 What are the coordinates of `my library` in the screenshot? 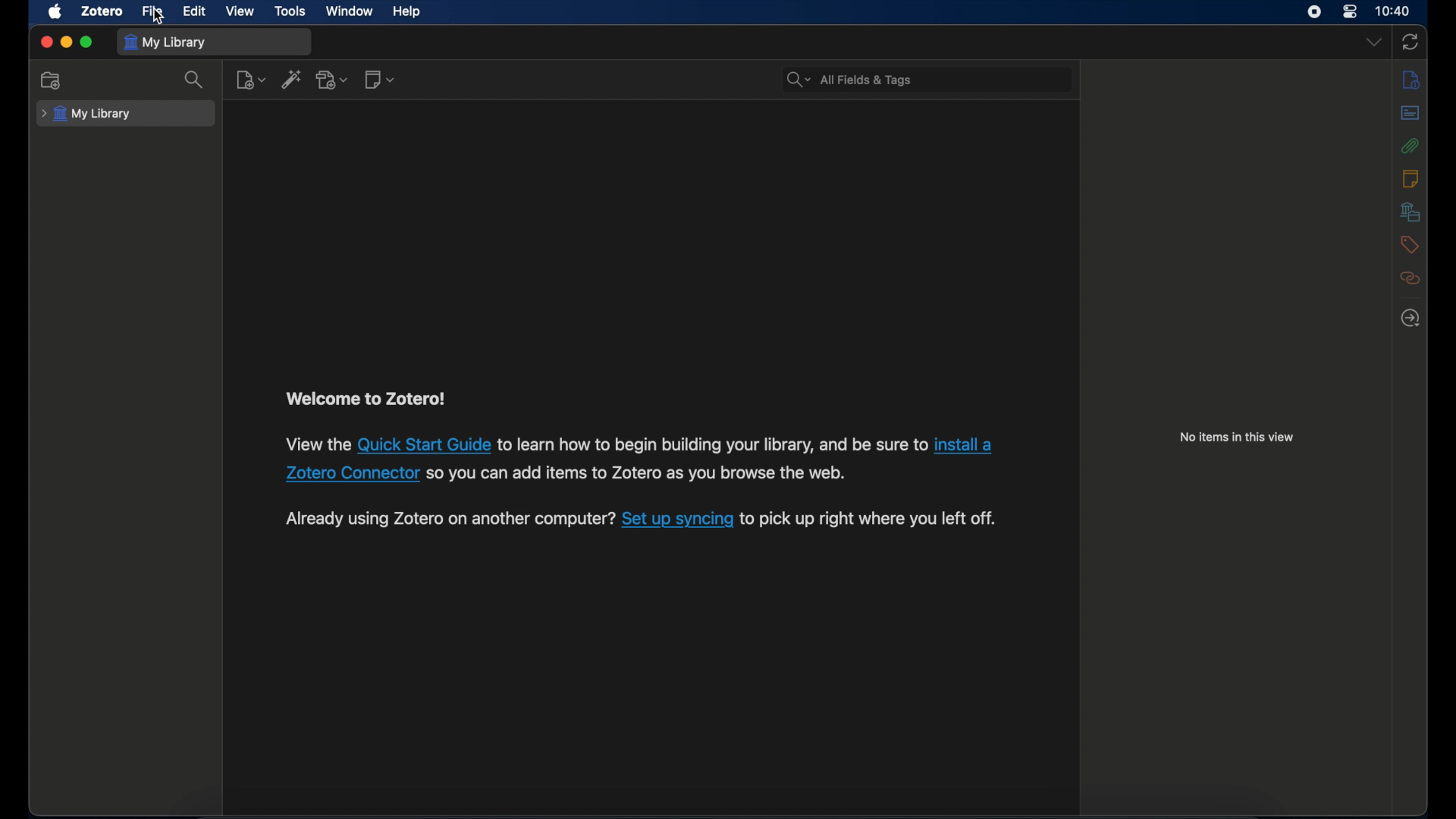 It's located at (165, 43).